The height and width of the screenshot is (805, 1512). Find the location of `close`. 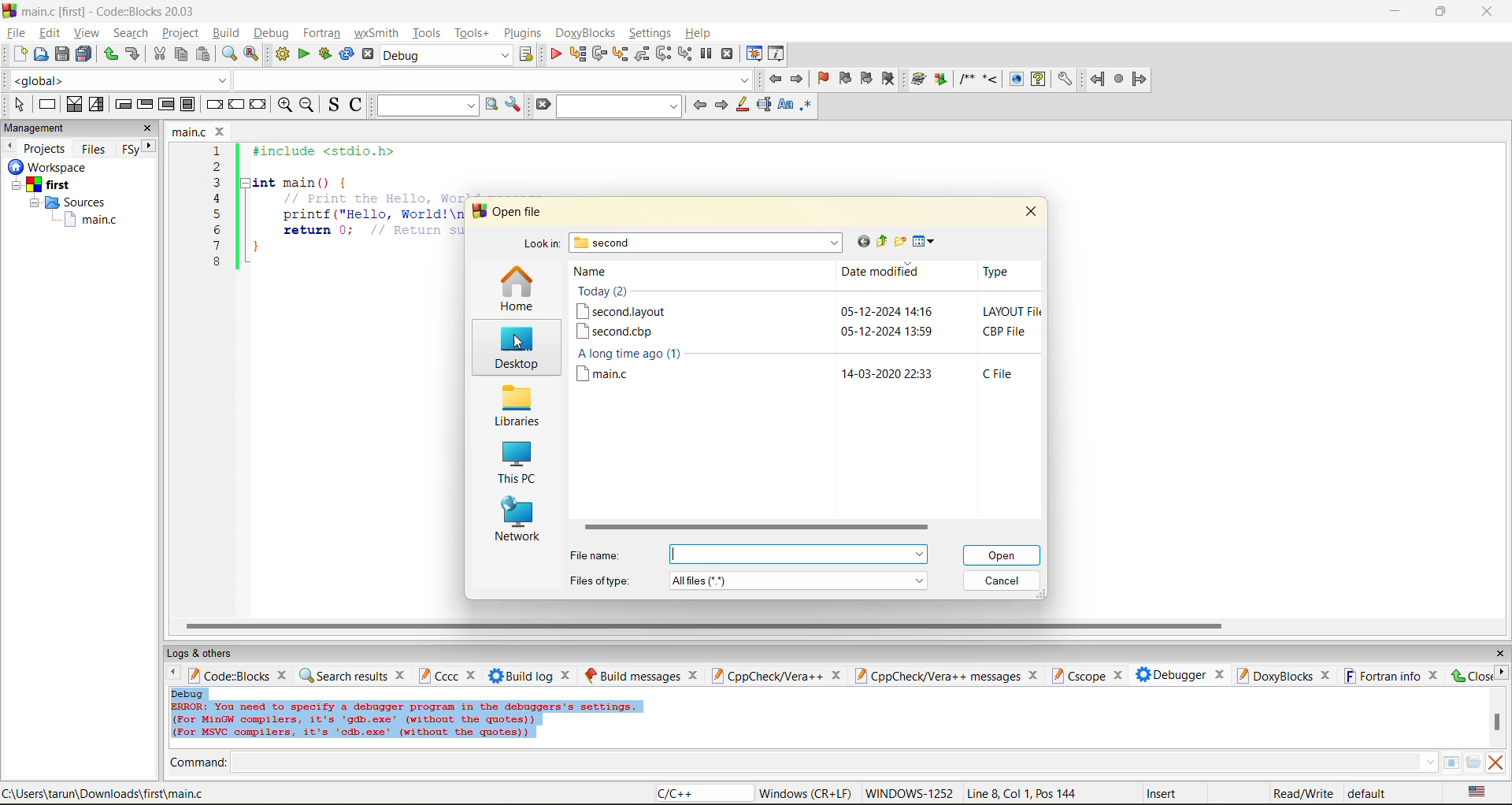

close is located at coordinates (222, 132).